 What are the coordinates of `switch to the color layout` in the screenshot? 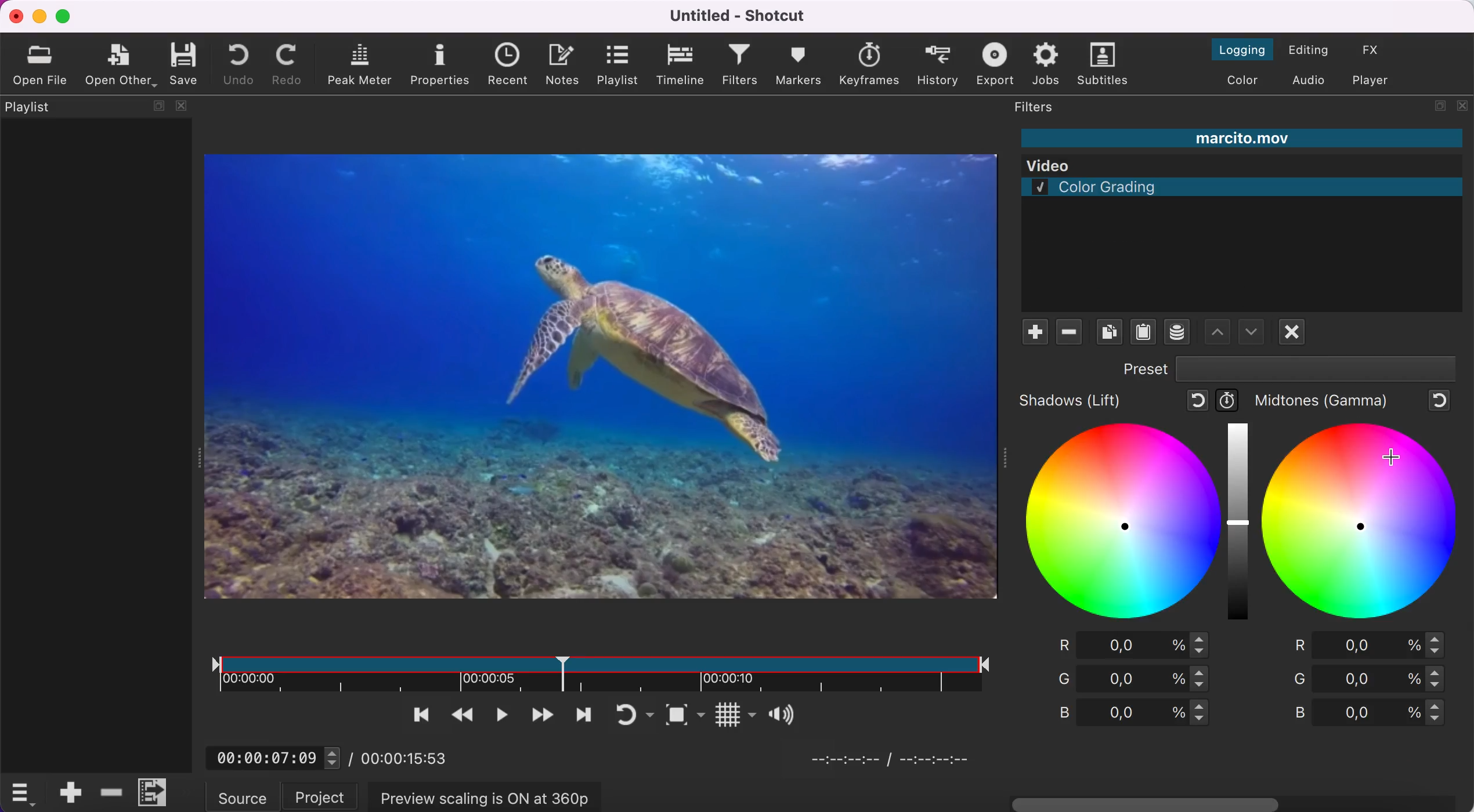 It's located at (1243, 82).